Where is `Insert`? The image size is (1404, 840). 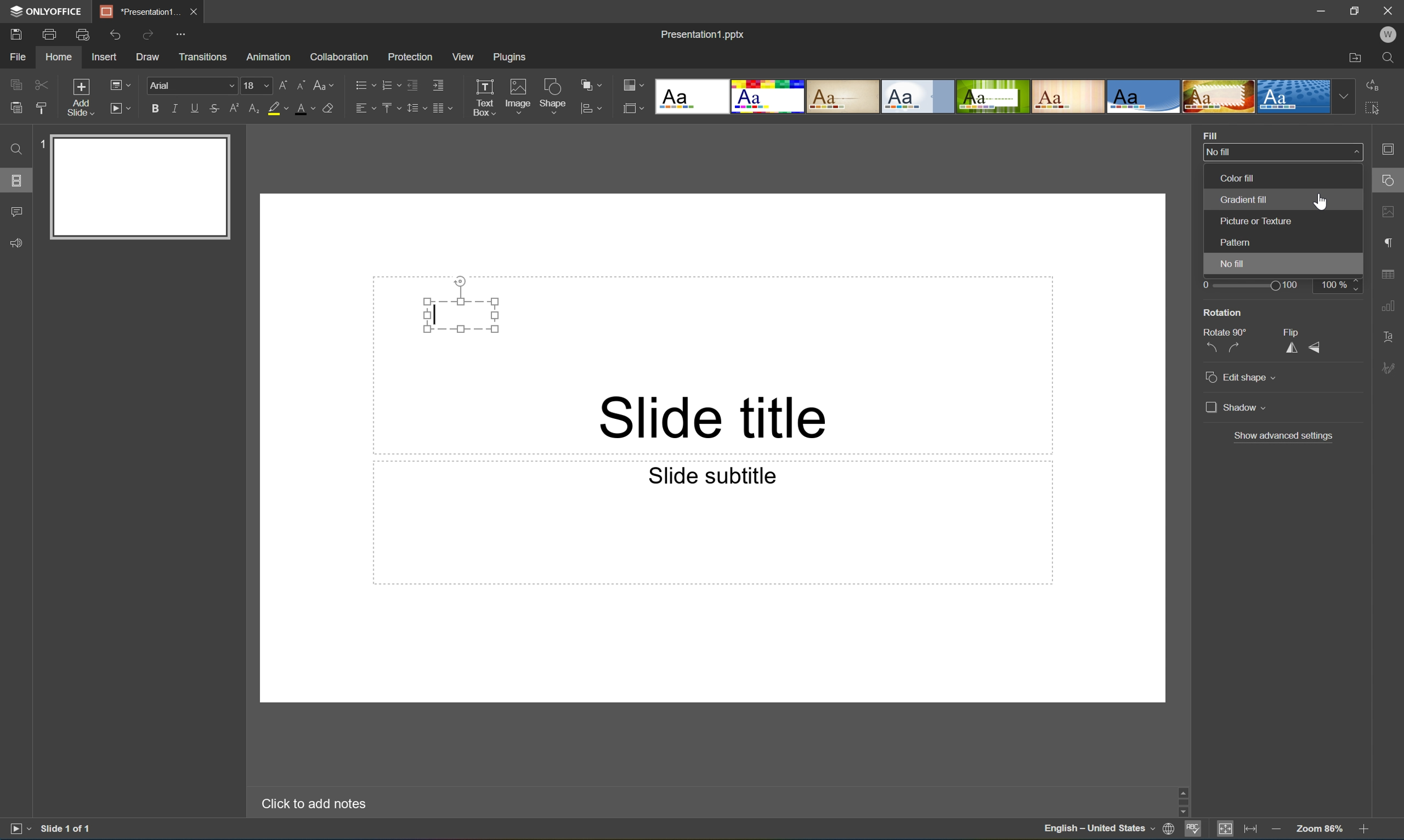 Insert is located at coordinates (104, 57).